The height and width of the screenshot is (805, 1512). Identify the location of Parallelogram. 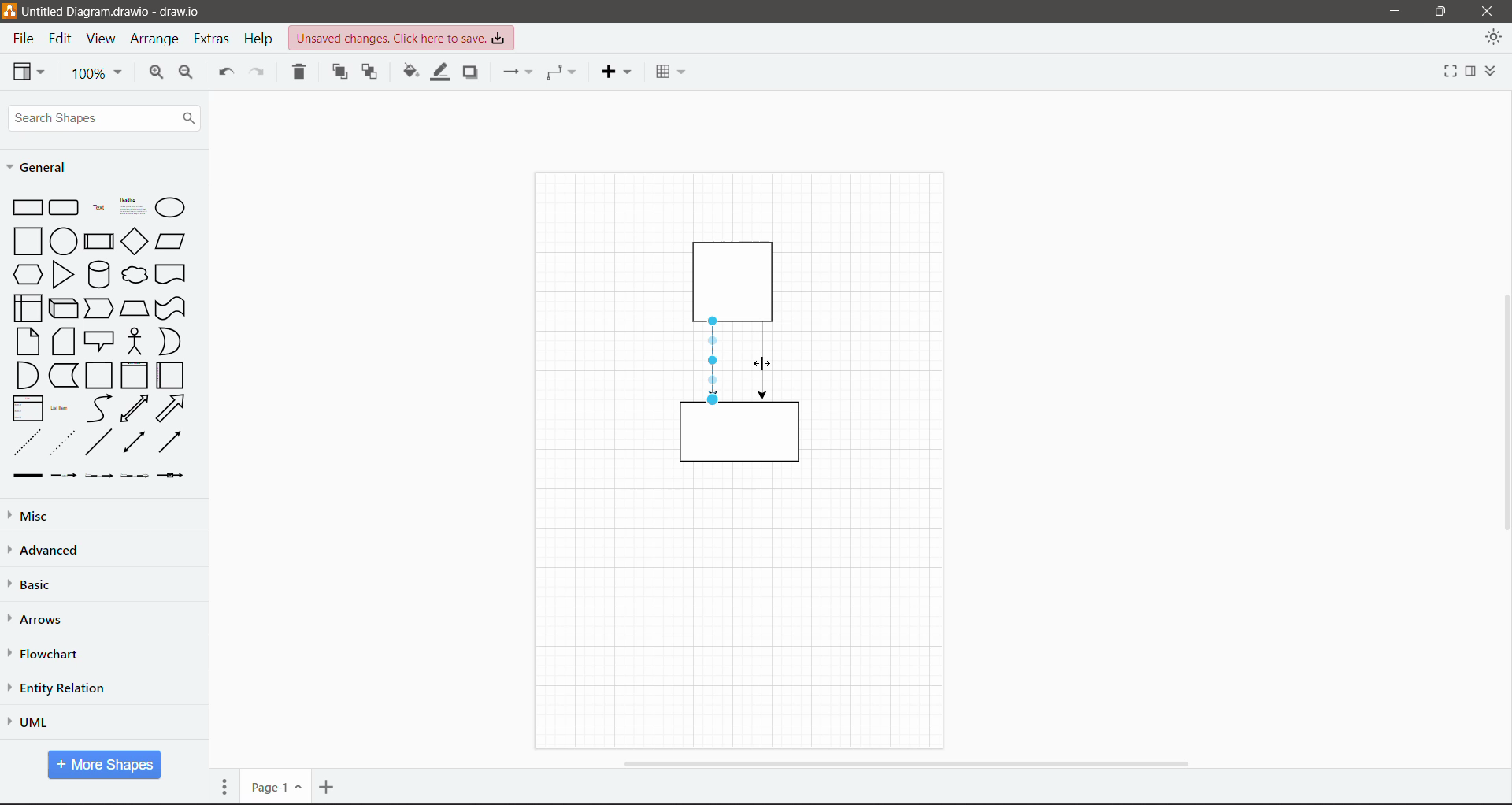
(171, 241).